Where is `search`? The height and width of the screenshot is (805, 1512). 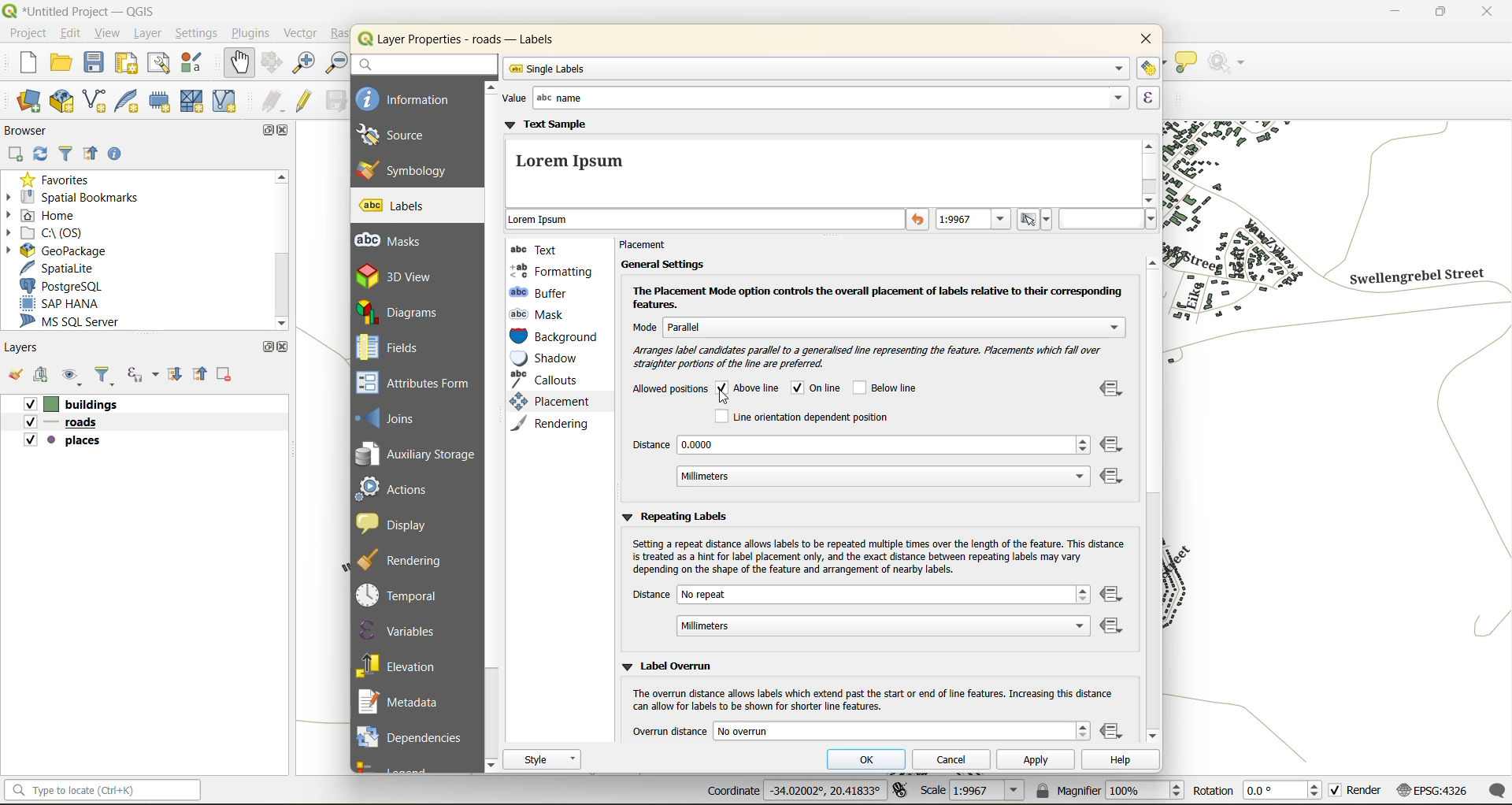 search is located at coordinates (423, 64).